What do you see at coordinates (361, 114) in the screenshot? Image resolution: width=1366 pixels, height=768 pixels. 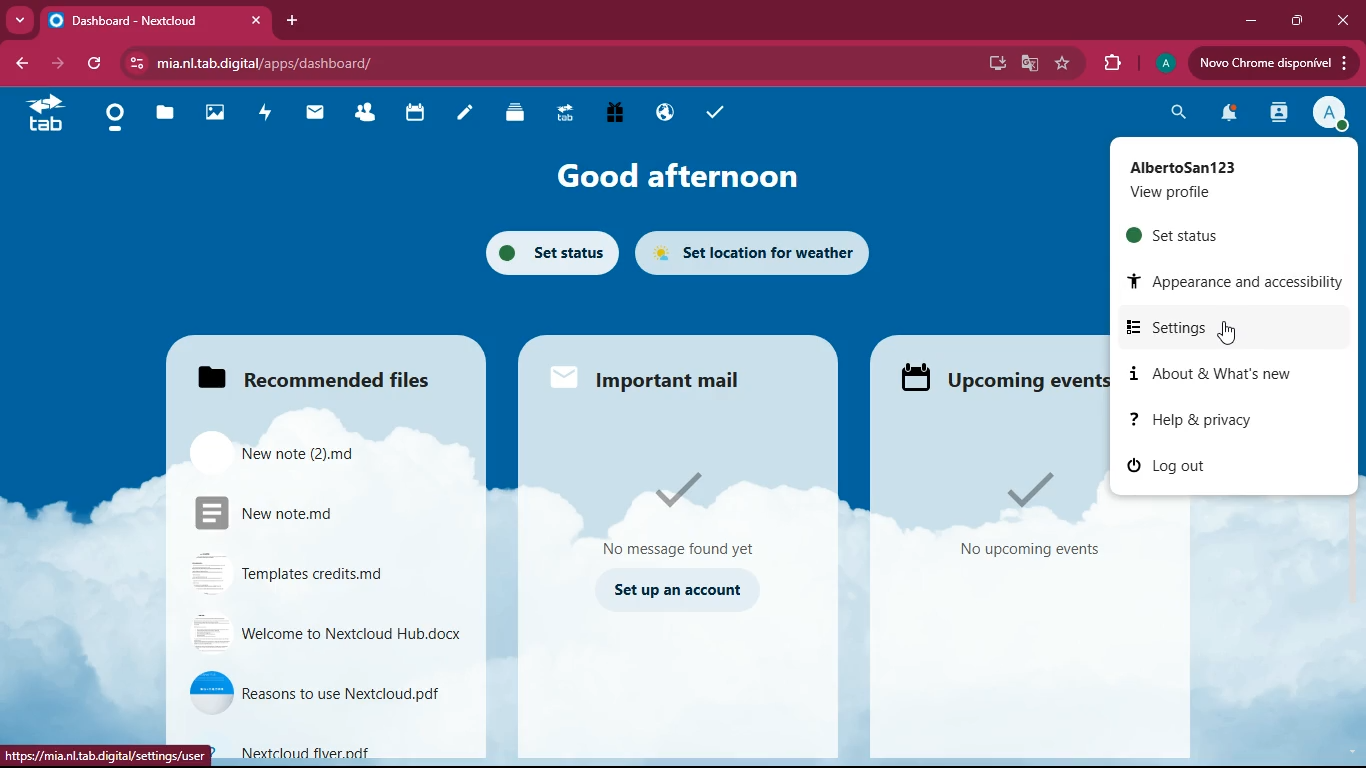 I see `friends` at bounding box center [361, 114].